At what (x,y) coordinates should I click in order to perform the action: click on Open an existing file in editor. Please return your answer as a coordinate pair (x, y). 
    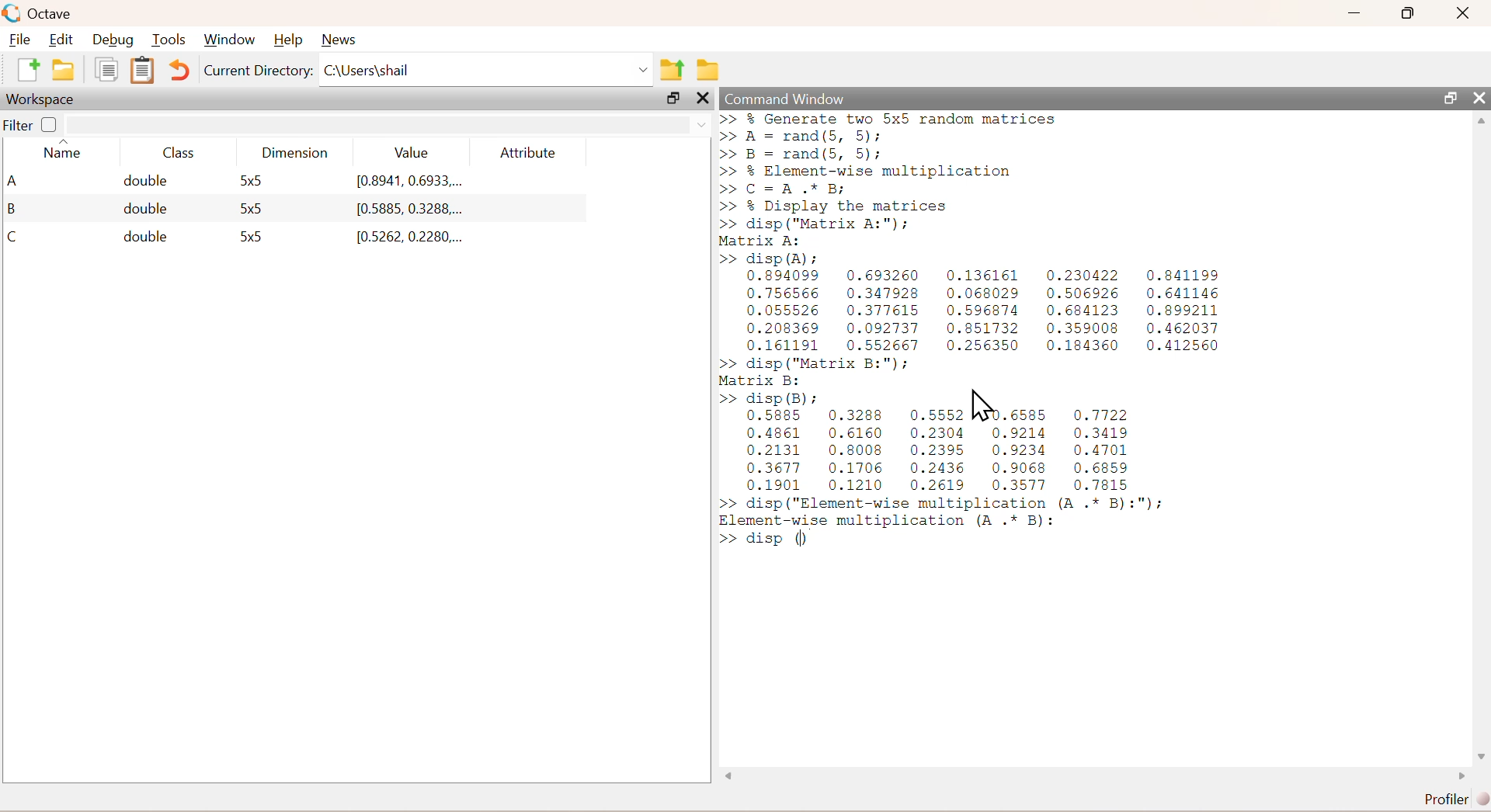
    Looking at the image, I should click on (65, 72).